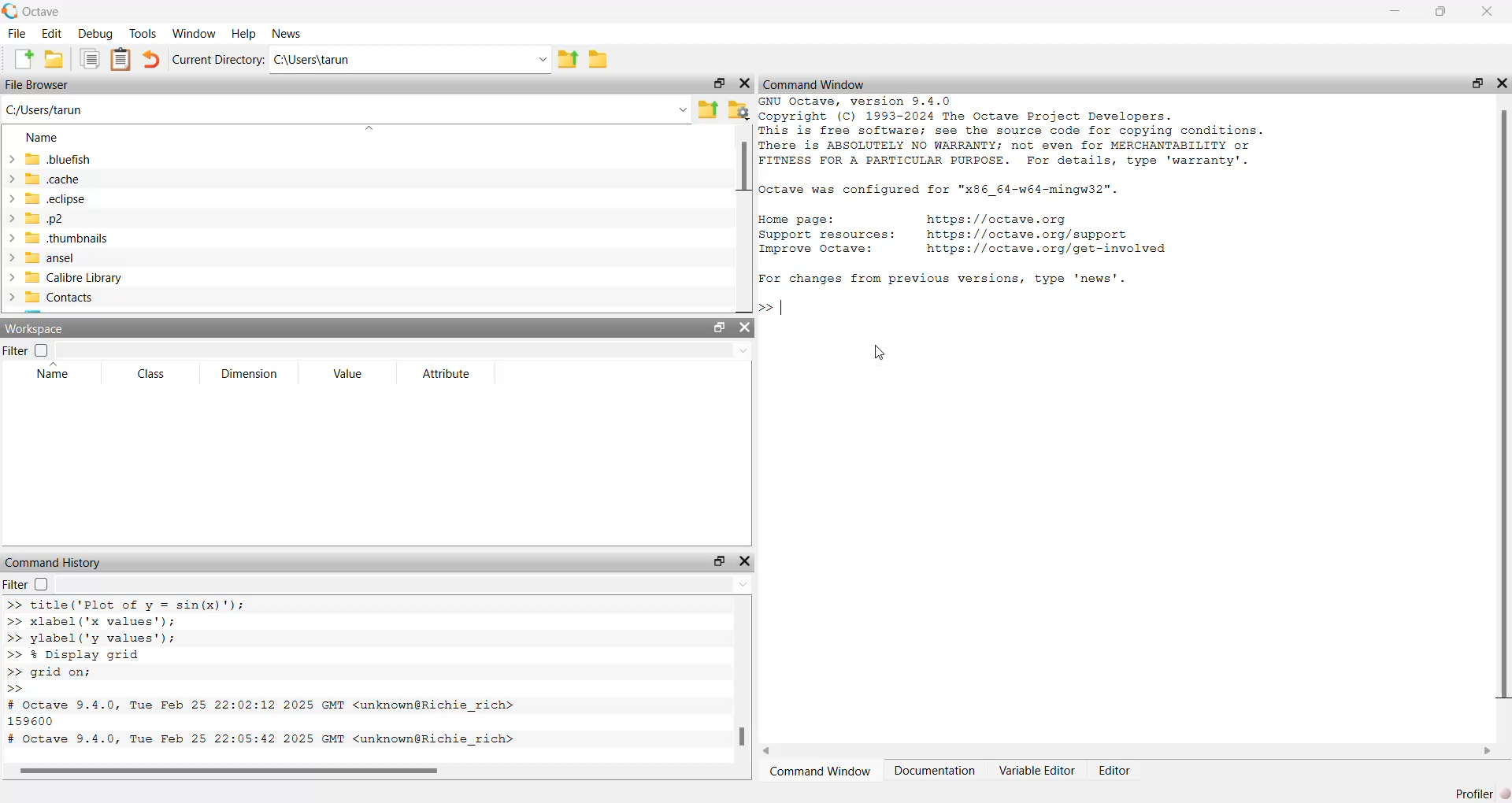  I want to click on resize, so click(721, 83).